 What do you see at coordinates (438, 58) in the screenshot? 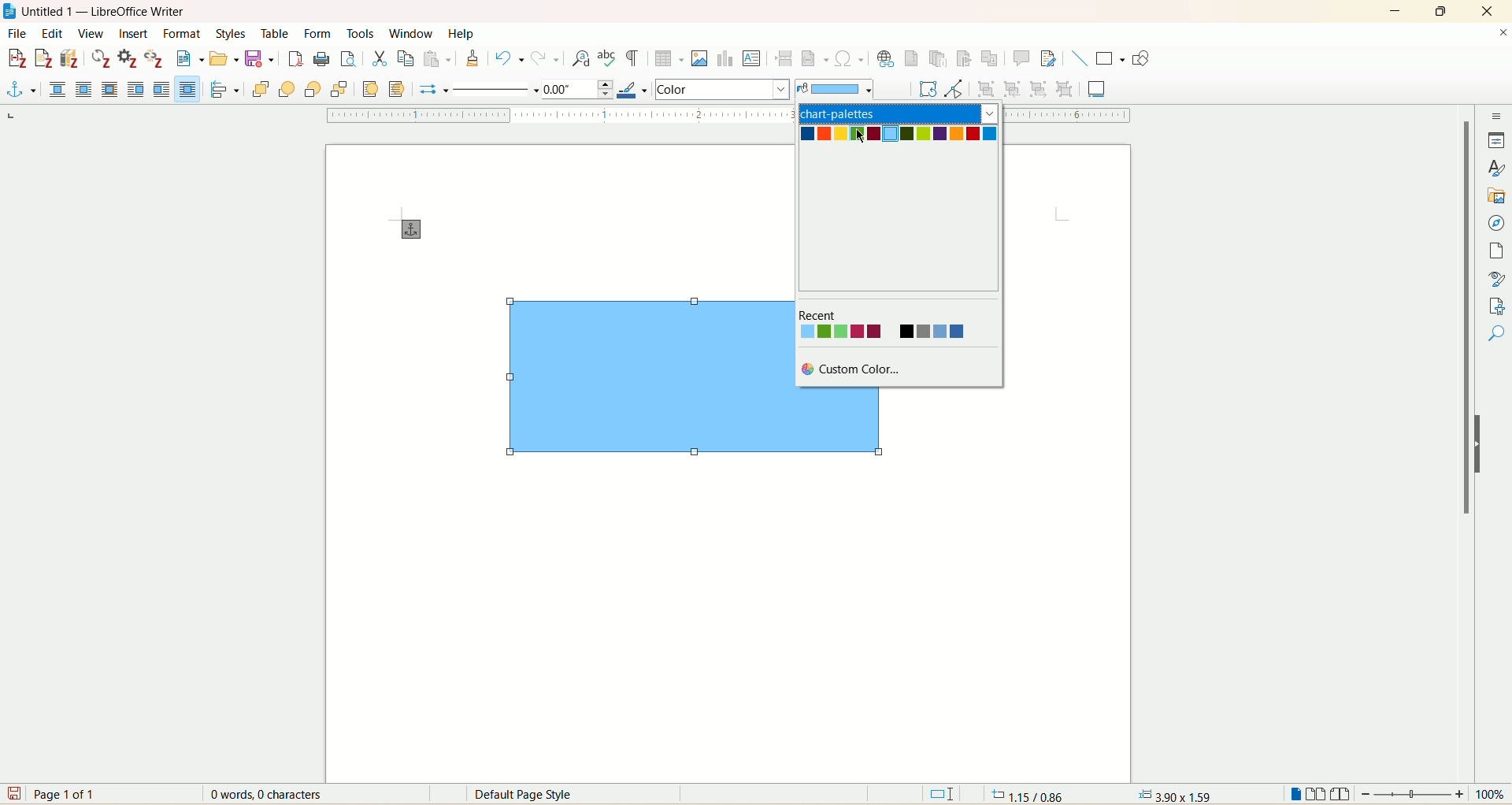
I see `paste` at bounding box center [438, 58].